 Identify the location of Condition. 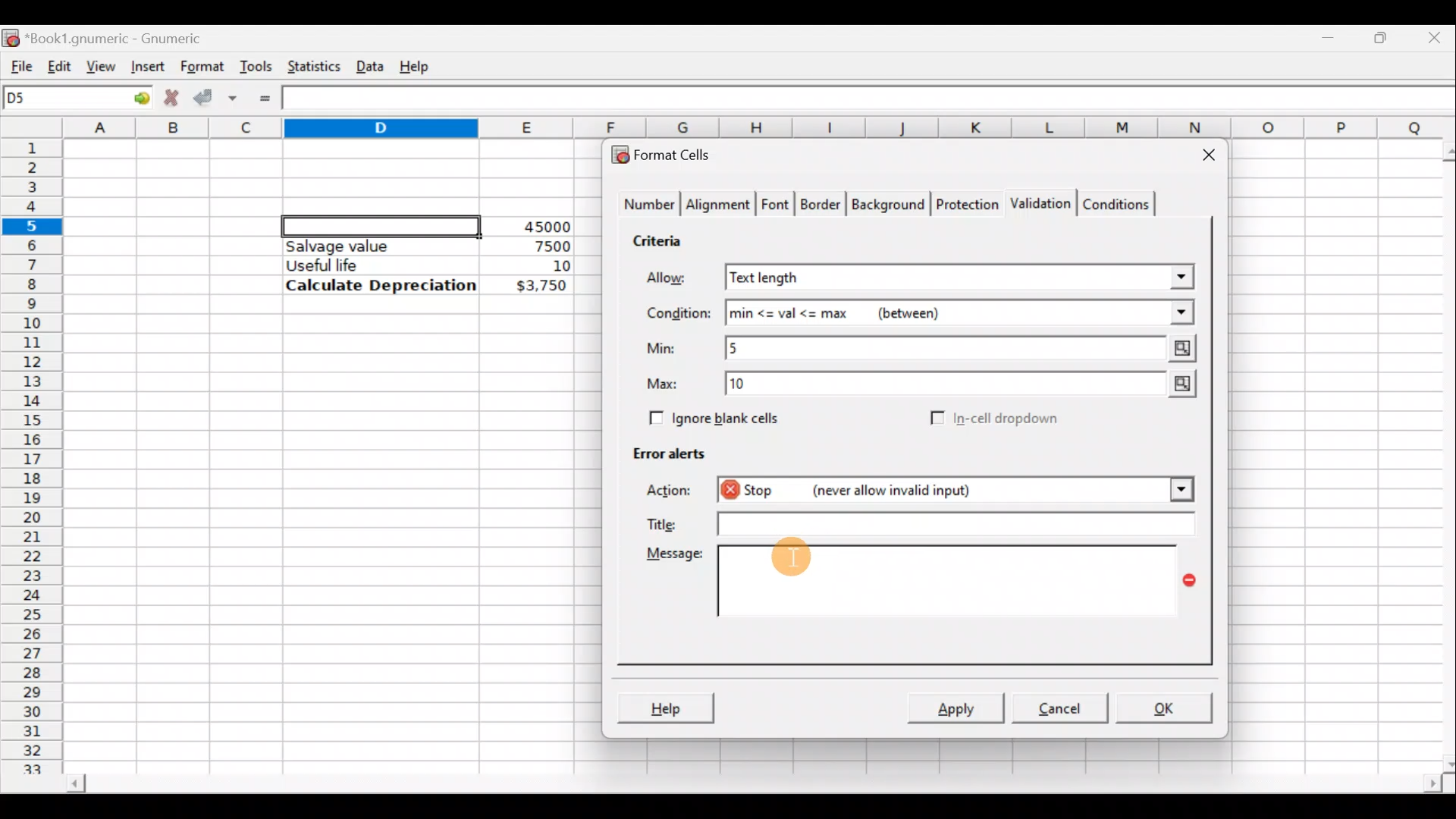
(678, 314).